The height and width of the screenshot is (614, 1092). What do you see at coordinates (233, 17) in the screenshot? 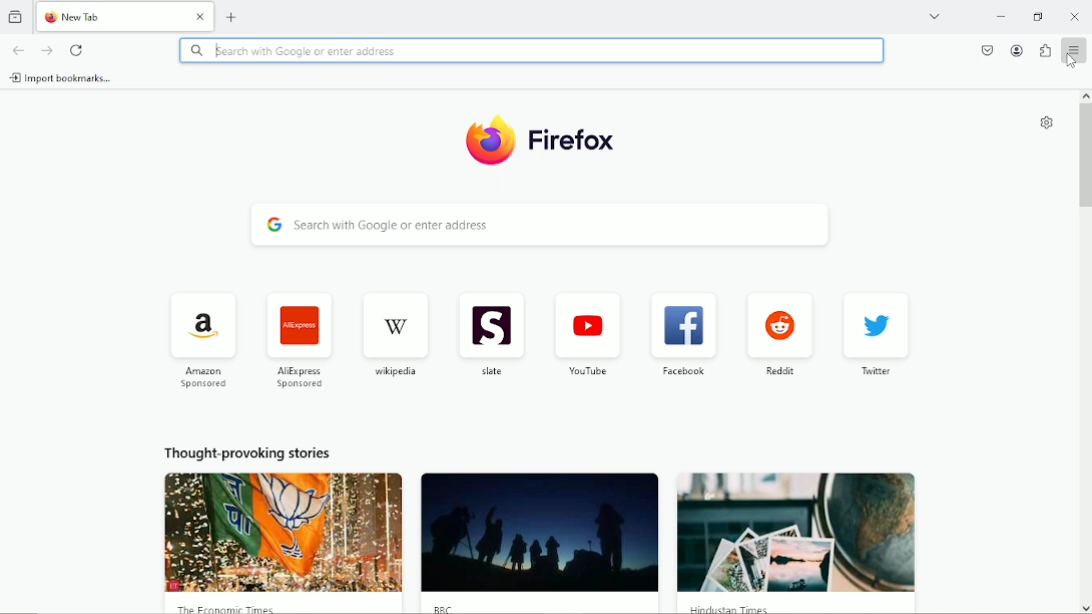
I see `new tab` at bounding box center [233, 17].